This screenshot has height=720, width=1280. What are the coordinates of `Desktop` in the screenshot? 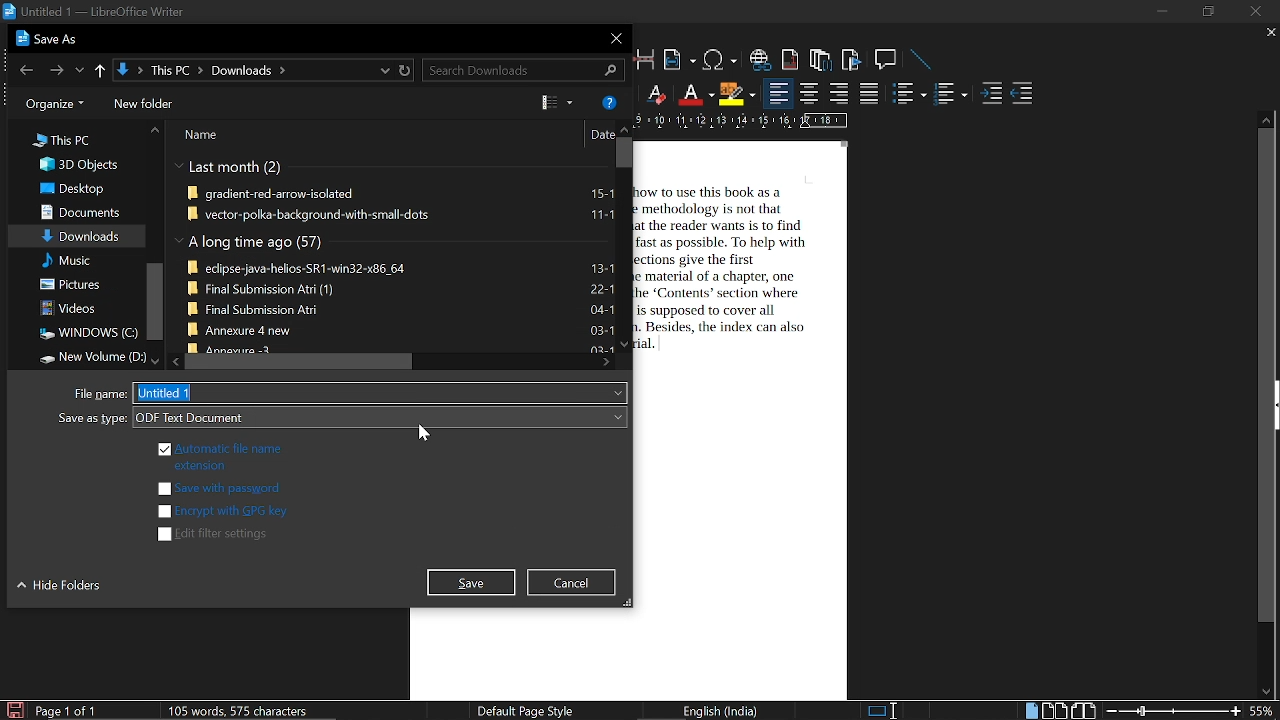 It's located at (73, 188).